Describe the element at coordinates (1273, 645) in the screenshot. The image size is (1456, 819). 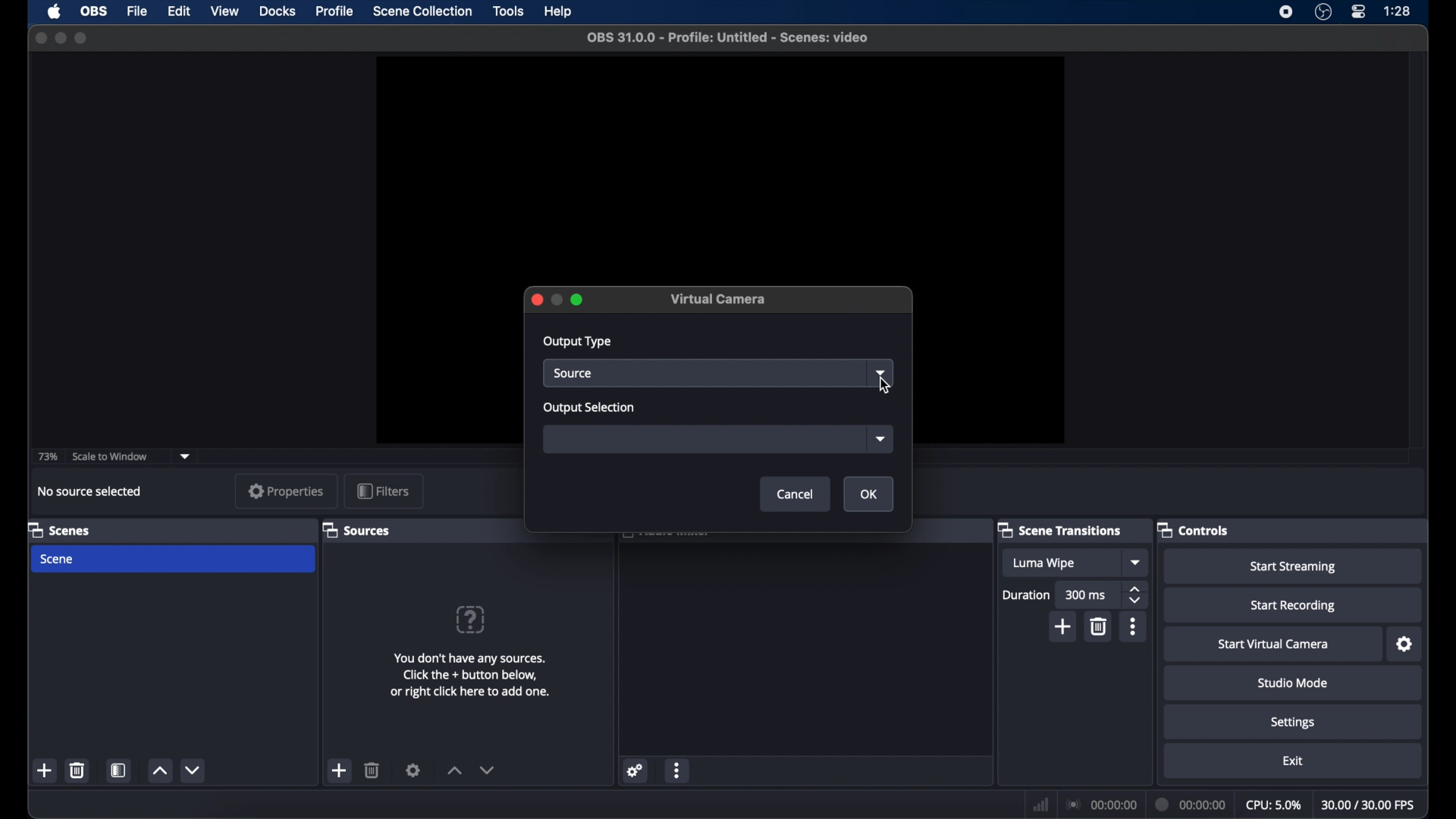
I see `start virtual camera` at that location.